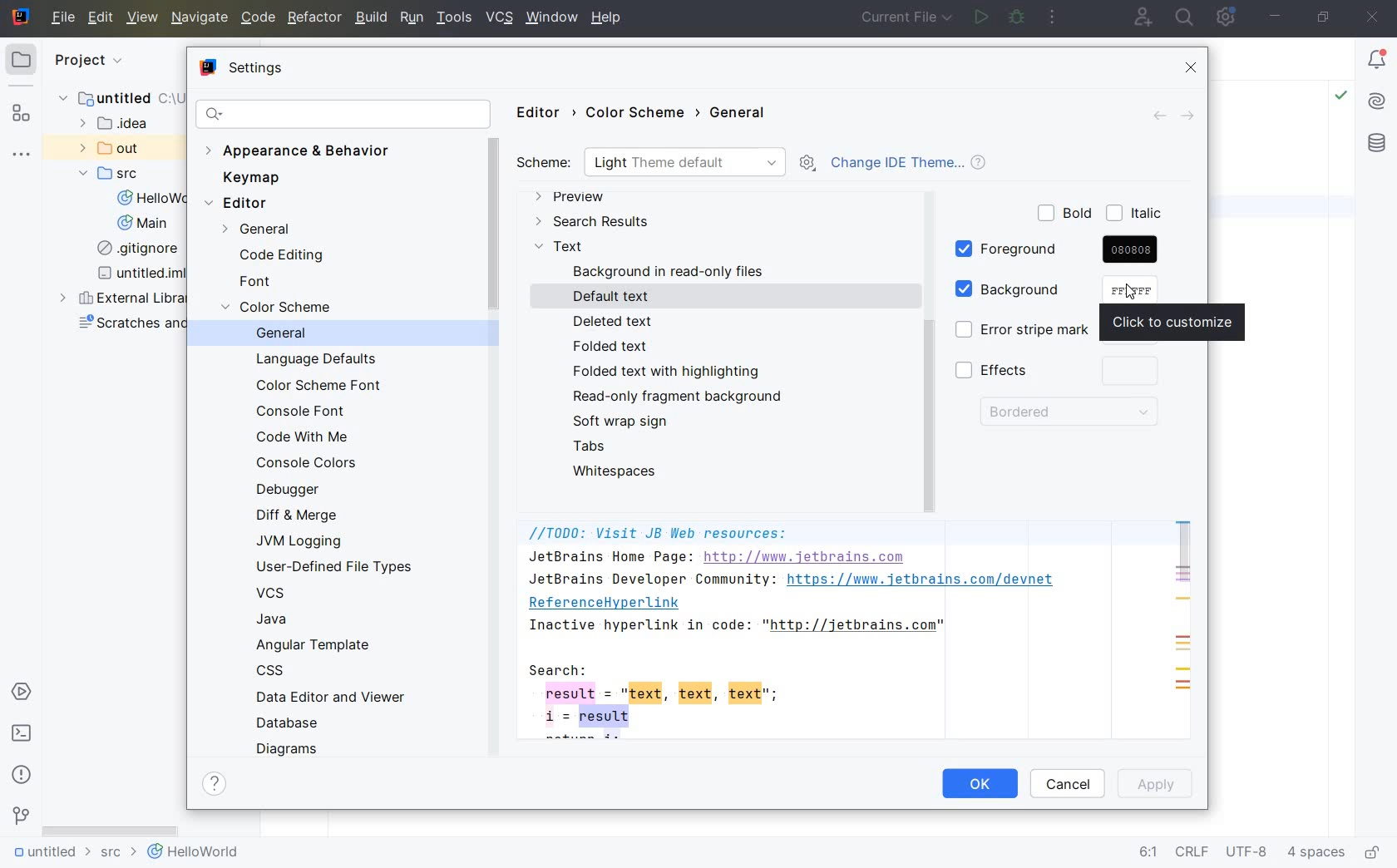  What do you see at coordinates (63, 18) in the screenshot?
I see `file` at bounding box center [63, 18].